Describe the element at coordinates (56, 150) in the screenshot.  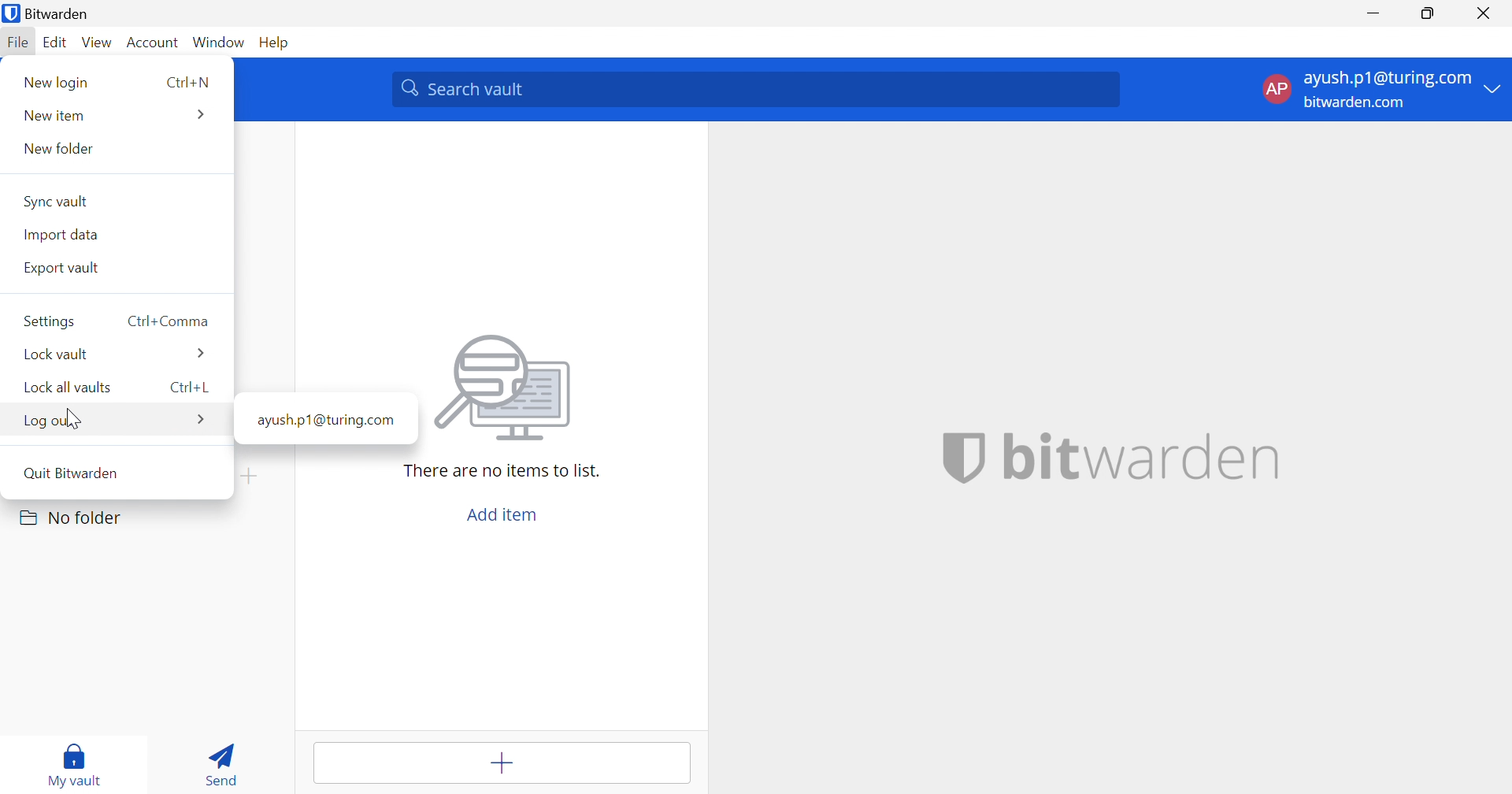
I see `New folder` at that location.